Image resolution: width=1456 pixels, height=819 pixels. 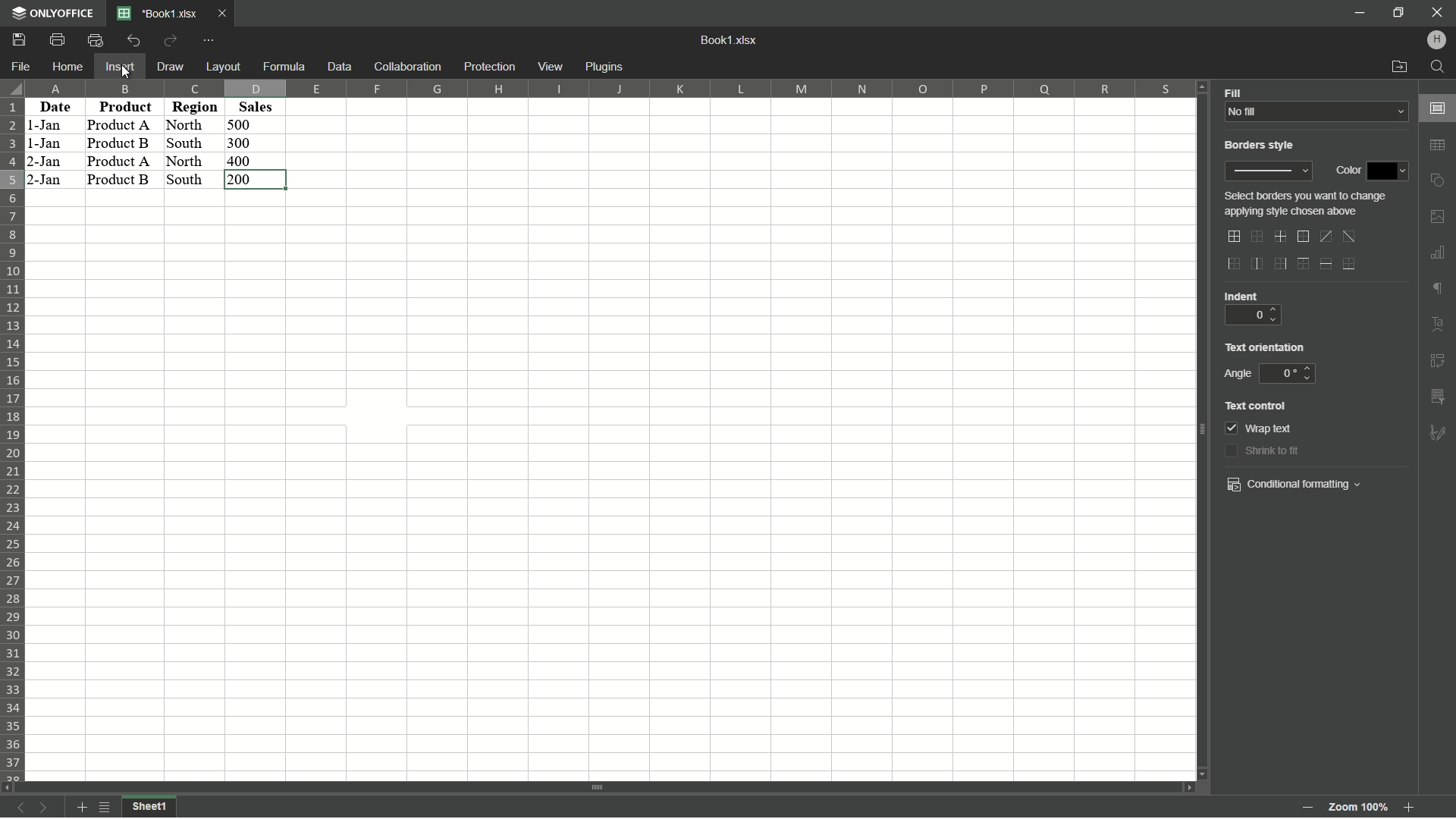 I want to click on cells, so click(x=745, y=146).